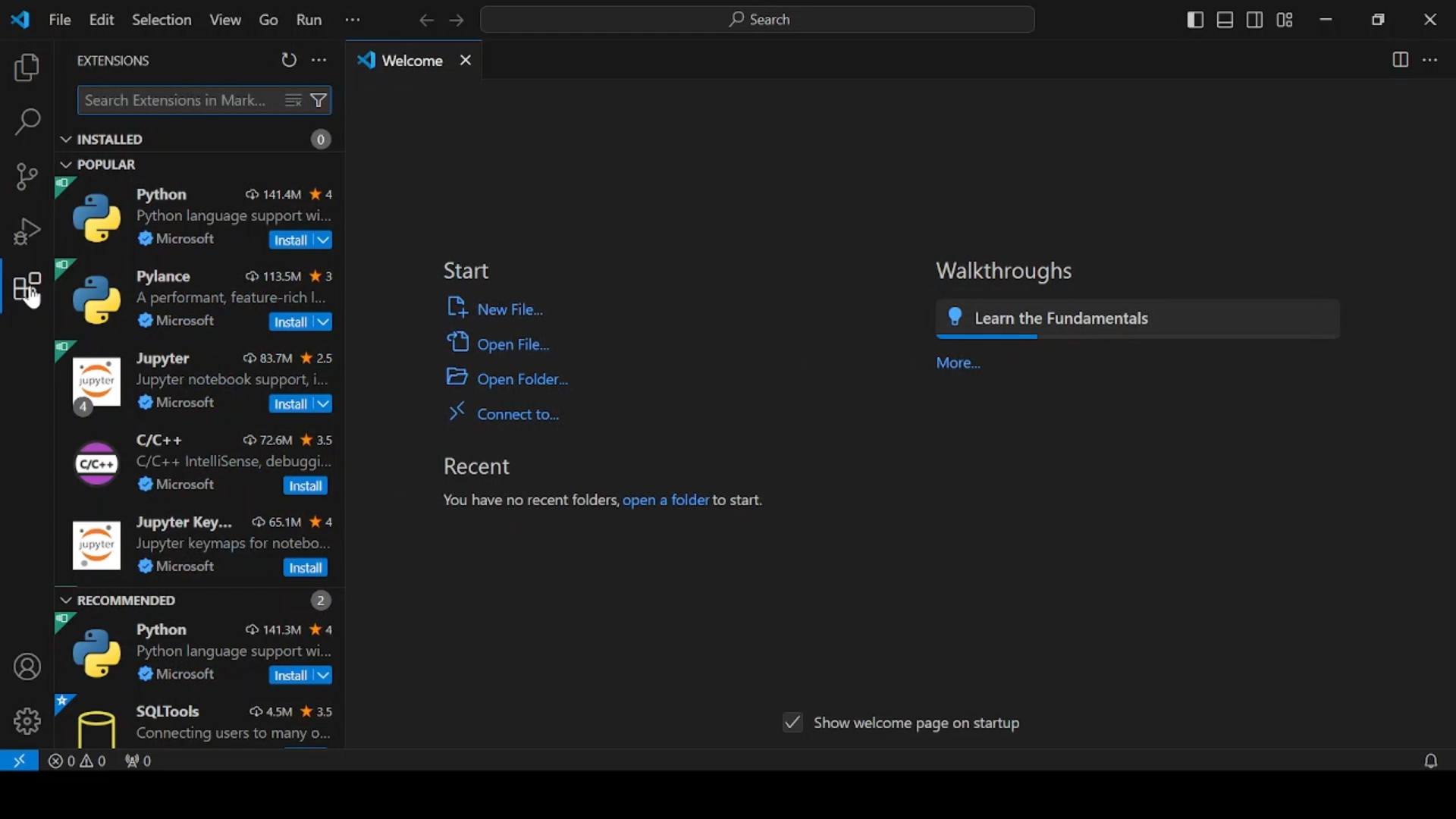  What do you see at coordinates (494, 416) in the screenshot?
I see `connect to` at bounding box center [494, 416].